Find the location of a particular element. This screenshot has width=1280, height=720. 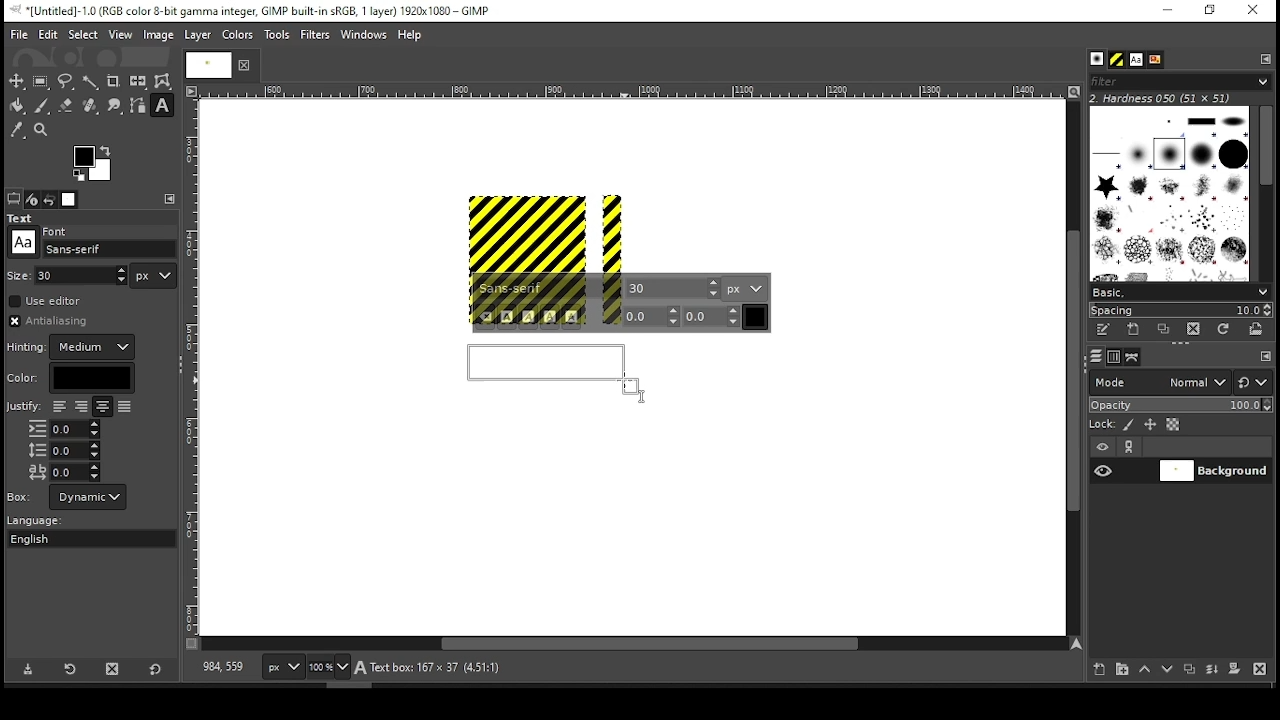

 is located at coordinates (23, 242).